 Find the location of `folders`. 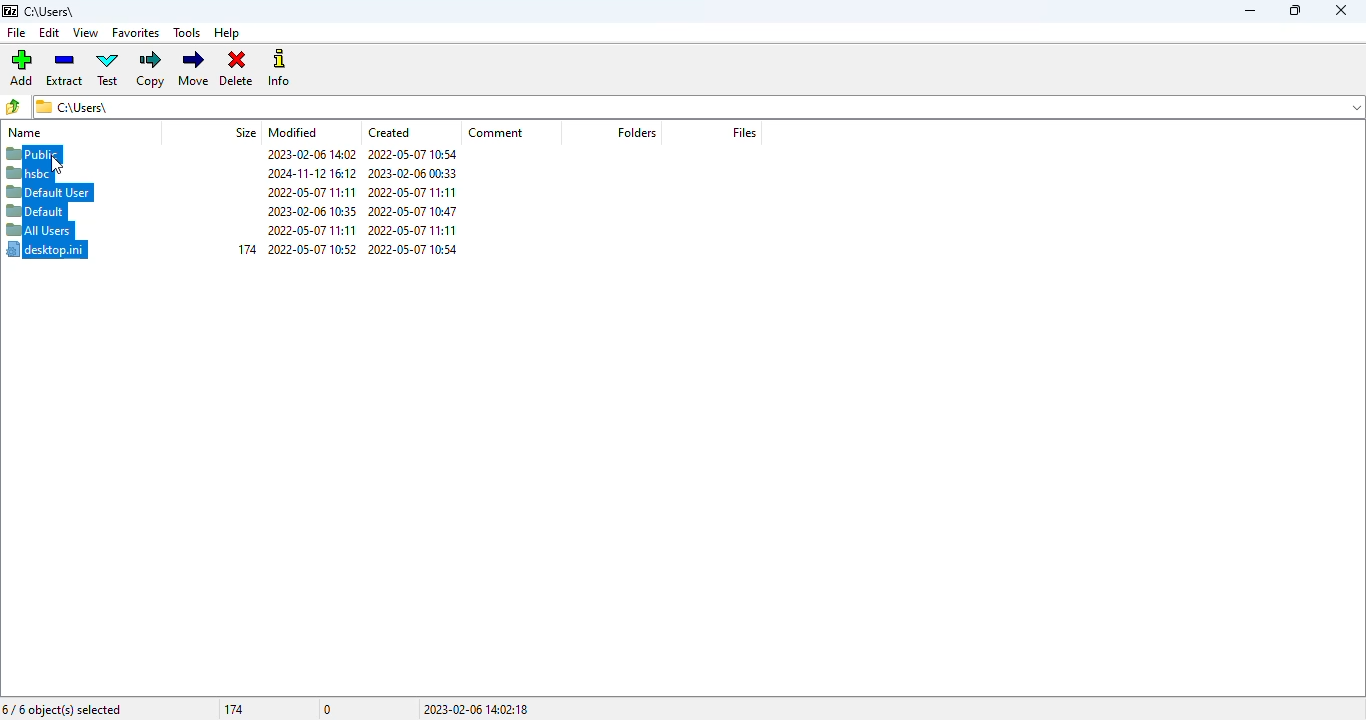

folders is located at coordinates (637, 132).